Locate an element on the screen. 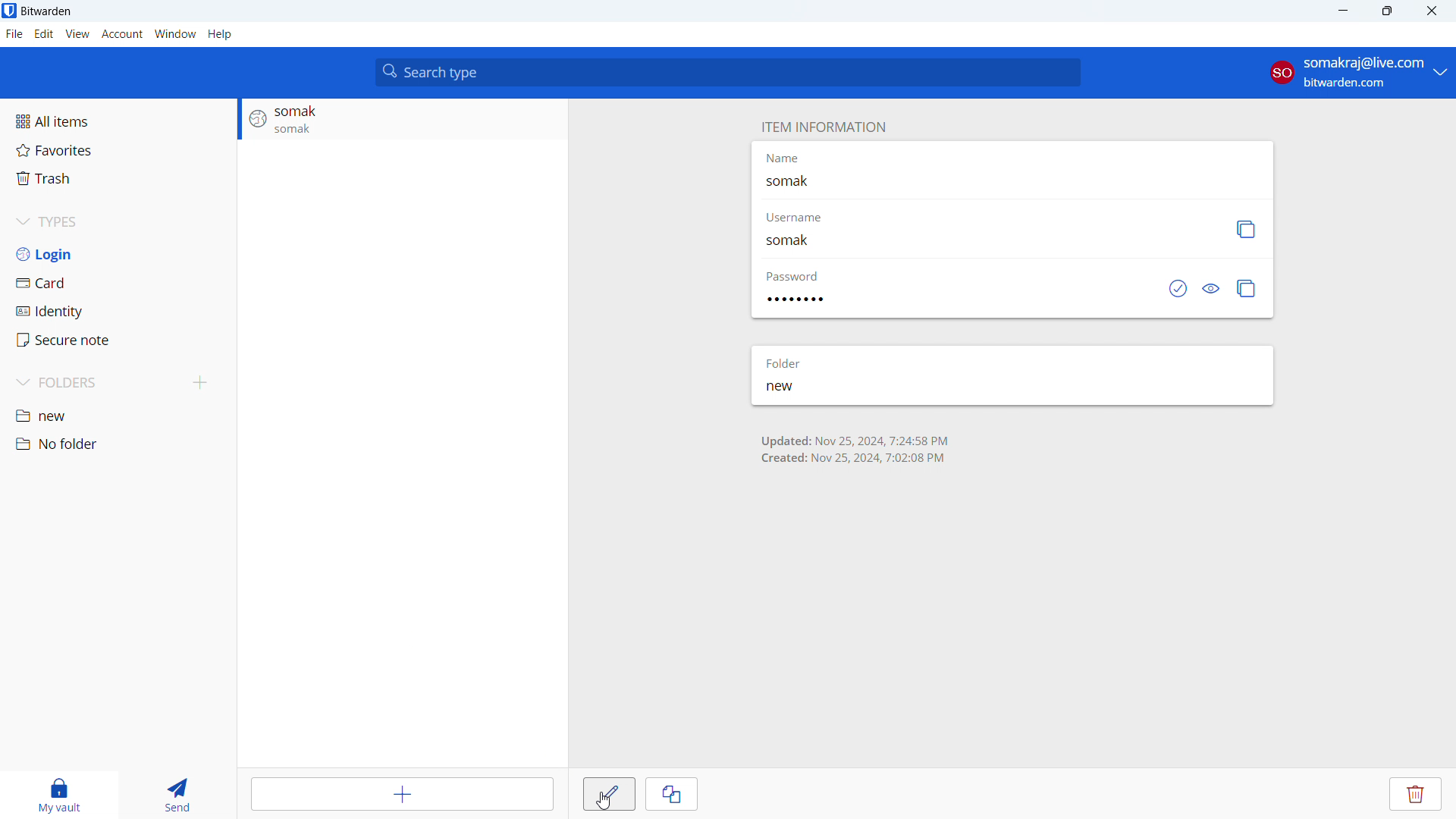 The image size is (1456, 819). folder is located at coordinates (788, 362).